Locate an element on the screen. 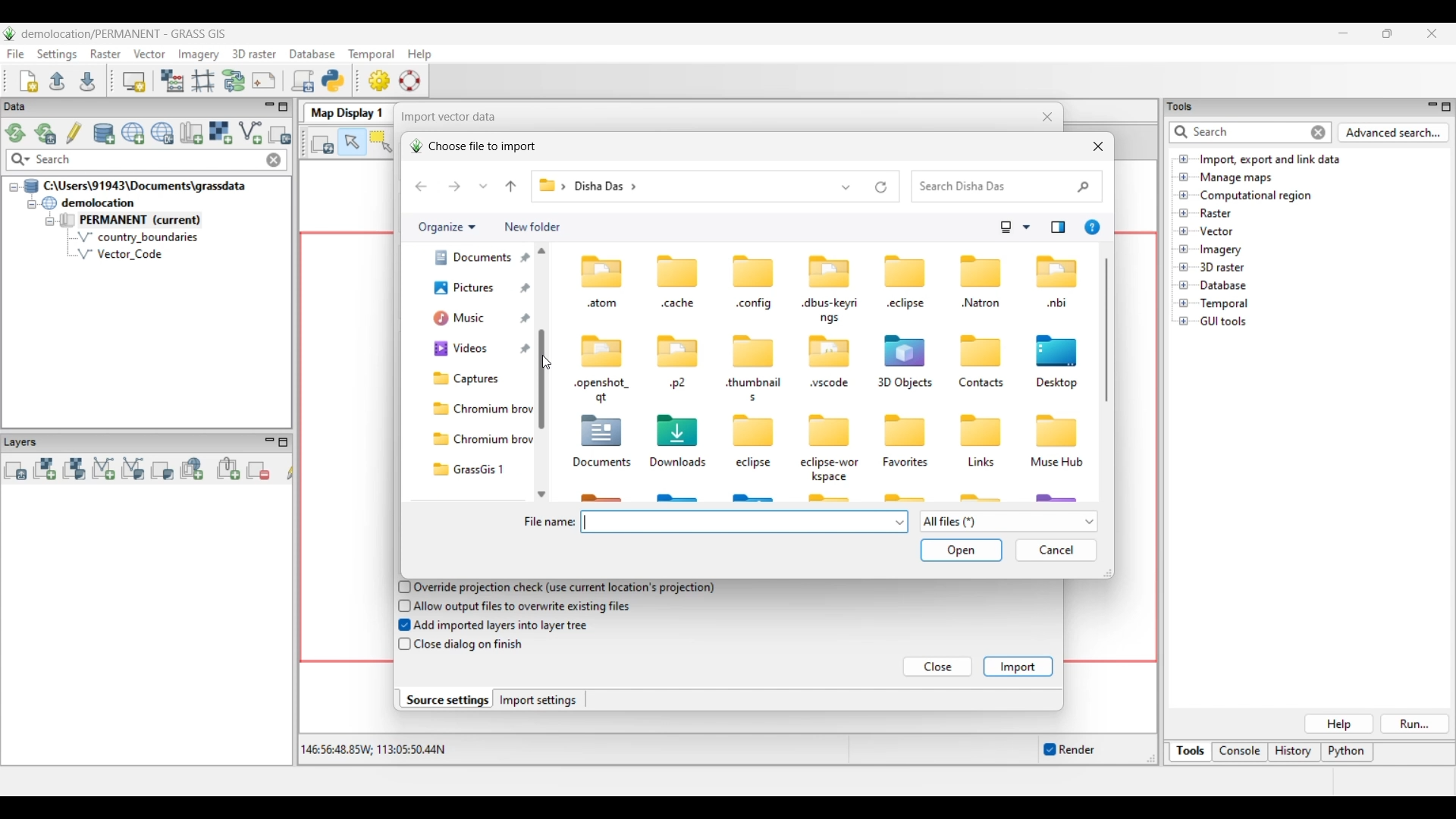 This screenshot has width=1456, height=819. Data is located at coordinates (28, 107).